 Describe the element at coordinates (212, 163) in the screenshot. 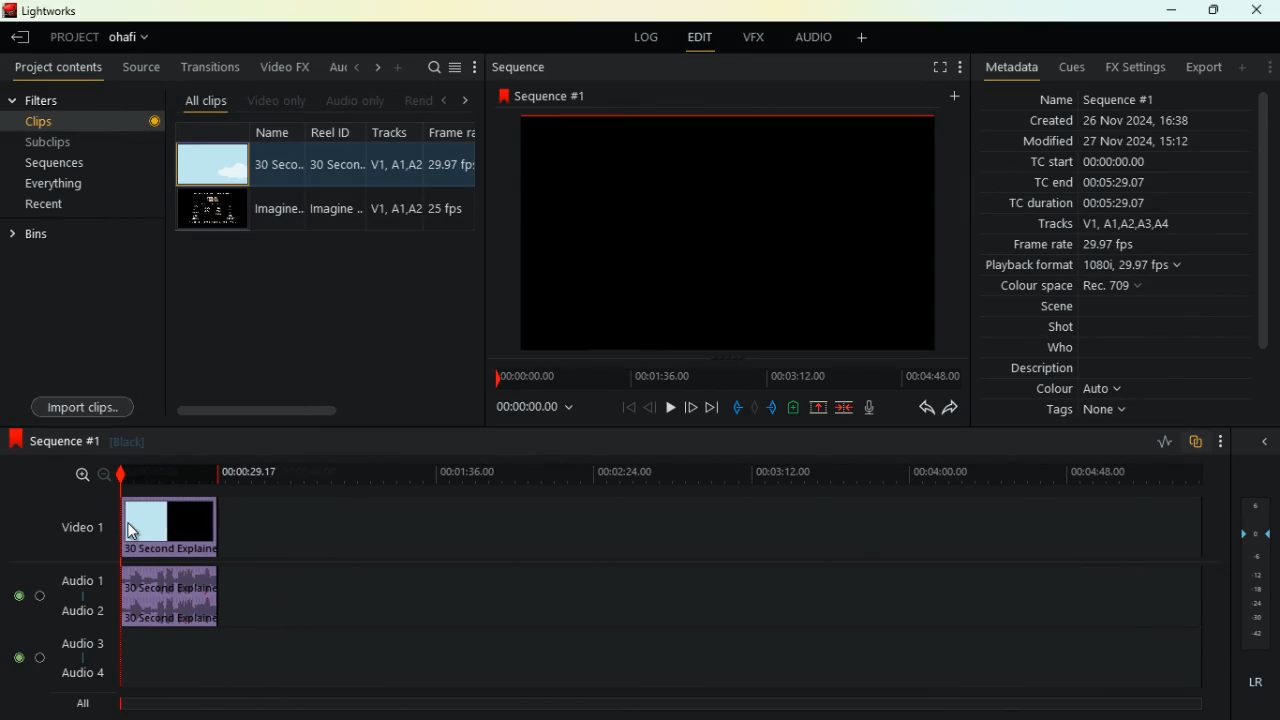

I see `video` at that location.